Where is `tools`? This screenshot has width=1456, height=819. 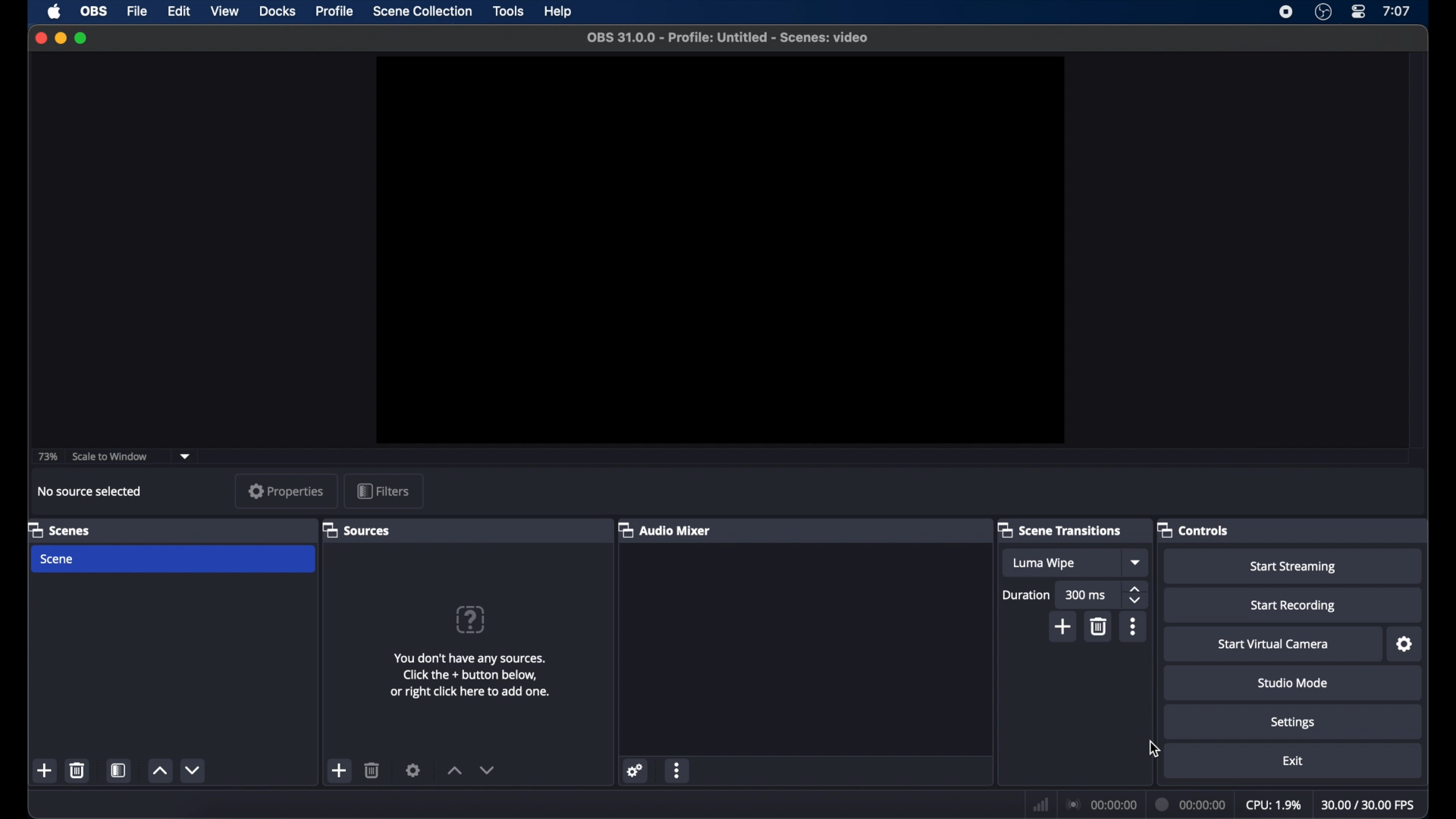
tools is located at coordinates (508, 11).